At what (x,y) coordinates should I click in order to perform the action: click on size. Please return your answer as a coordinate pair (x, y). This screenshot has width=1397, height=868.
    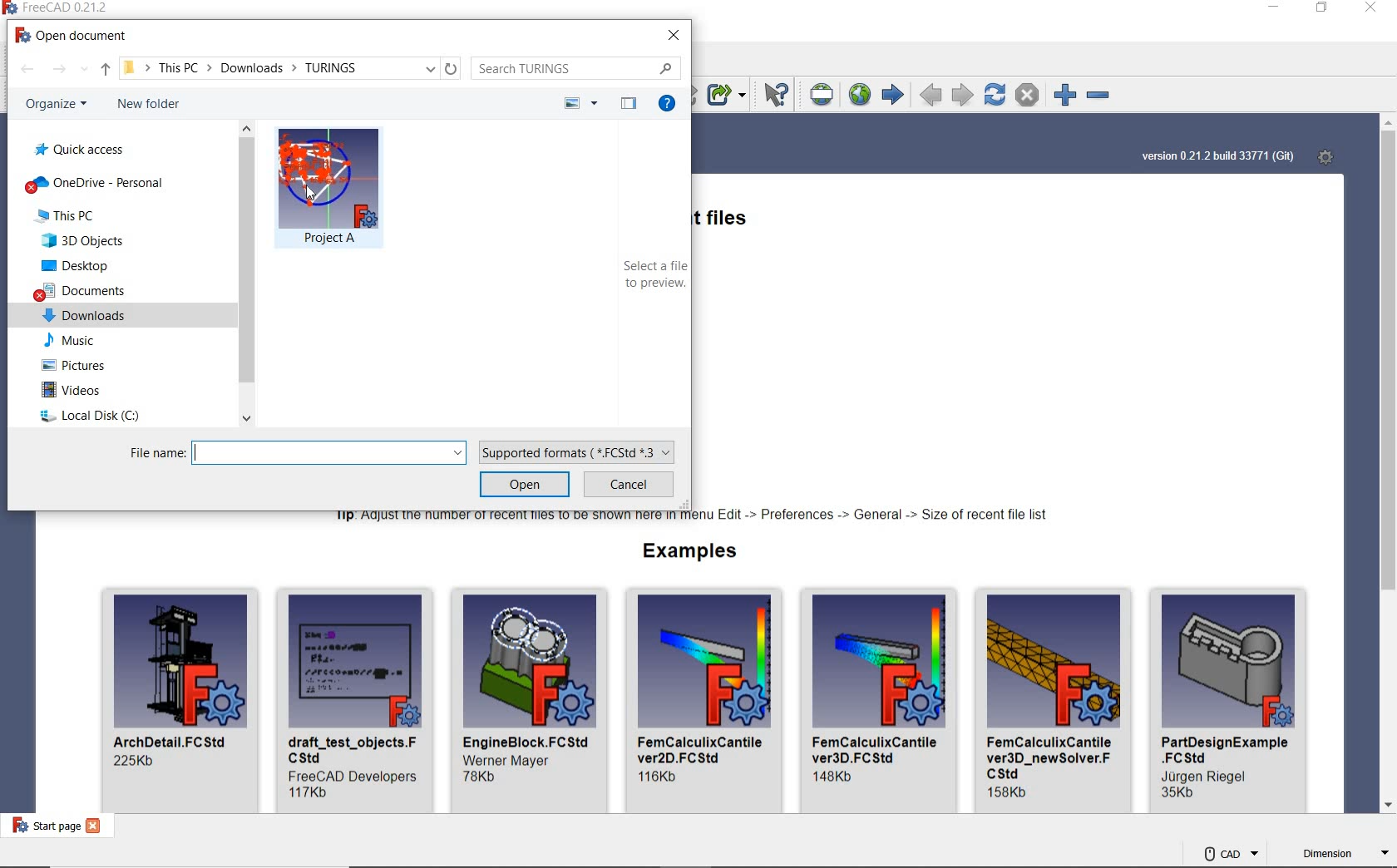
    Looking at the image, I should click on (482, 777).